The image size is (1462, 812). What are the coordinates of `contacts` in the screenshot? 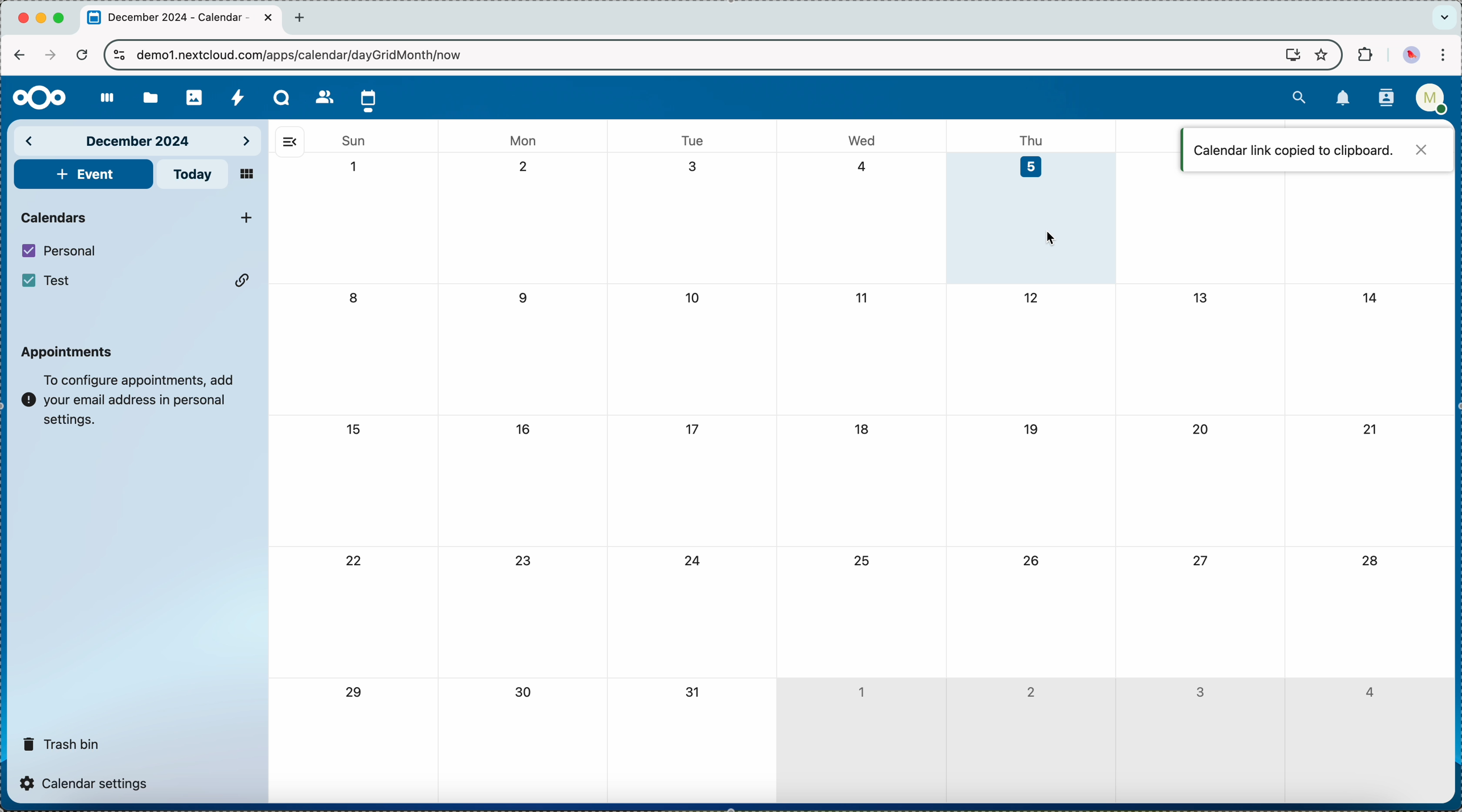 It's located at (1383, 99).